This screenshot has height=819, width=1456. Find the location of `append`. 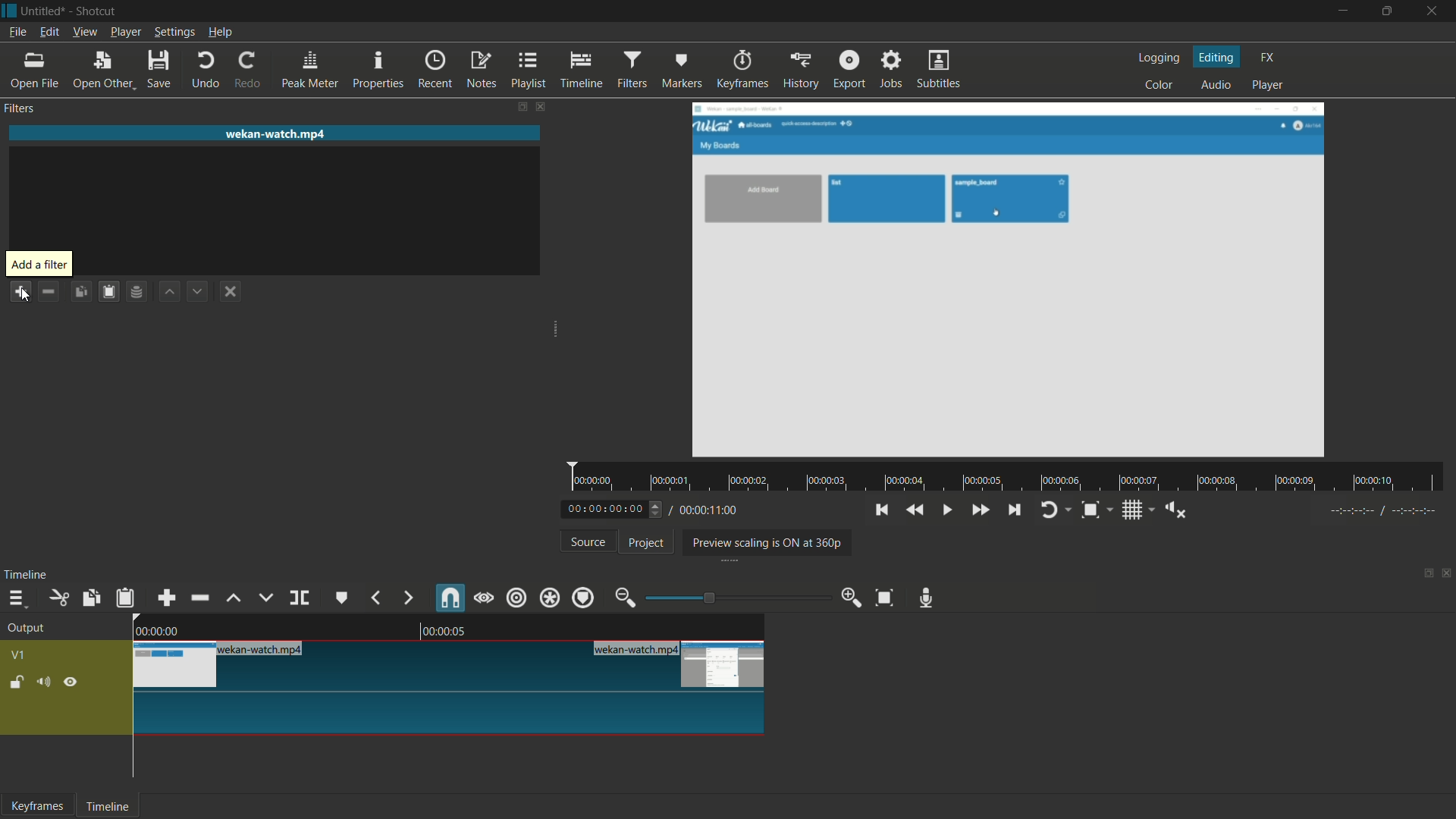

append is located at coordinates (167, 598).